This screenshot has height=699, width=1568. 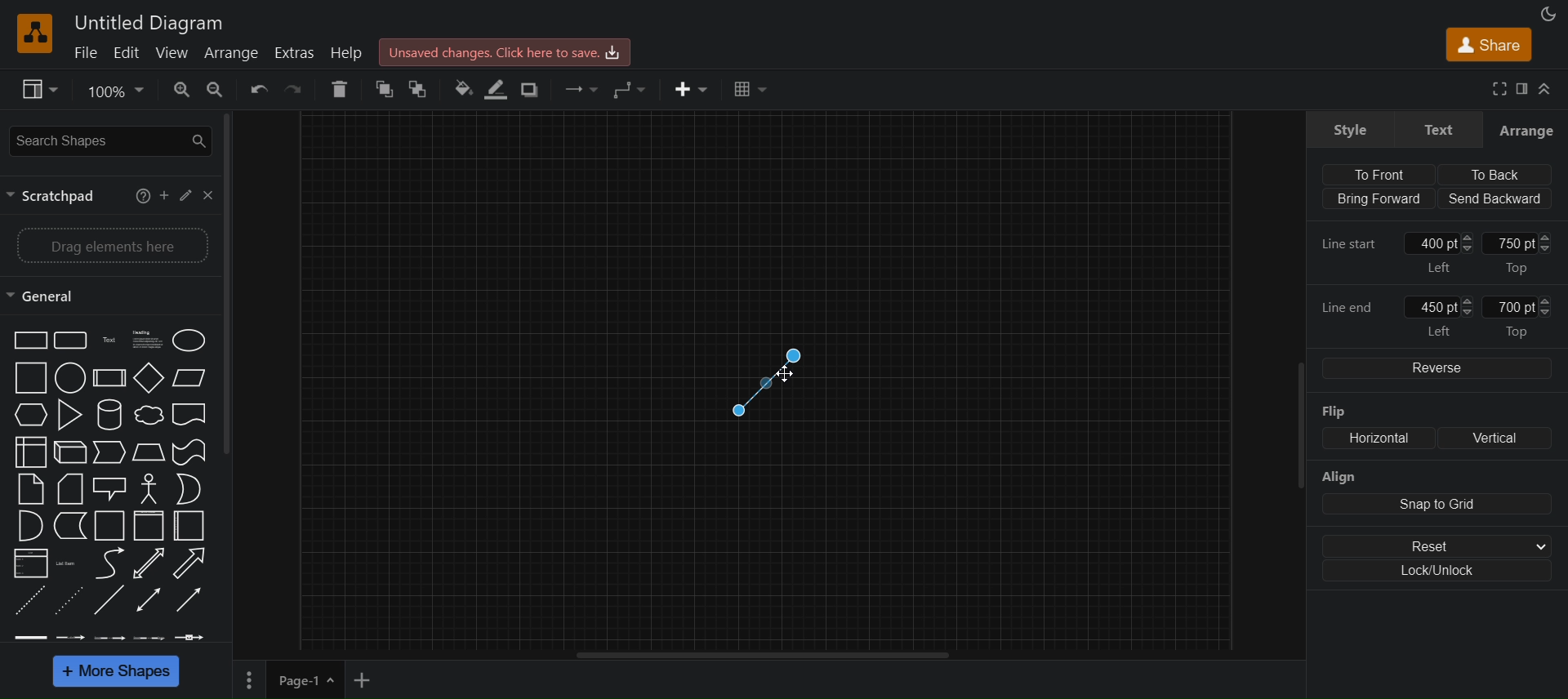 I want to click on Arrow, so click(x=194, y=563).